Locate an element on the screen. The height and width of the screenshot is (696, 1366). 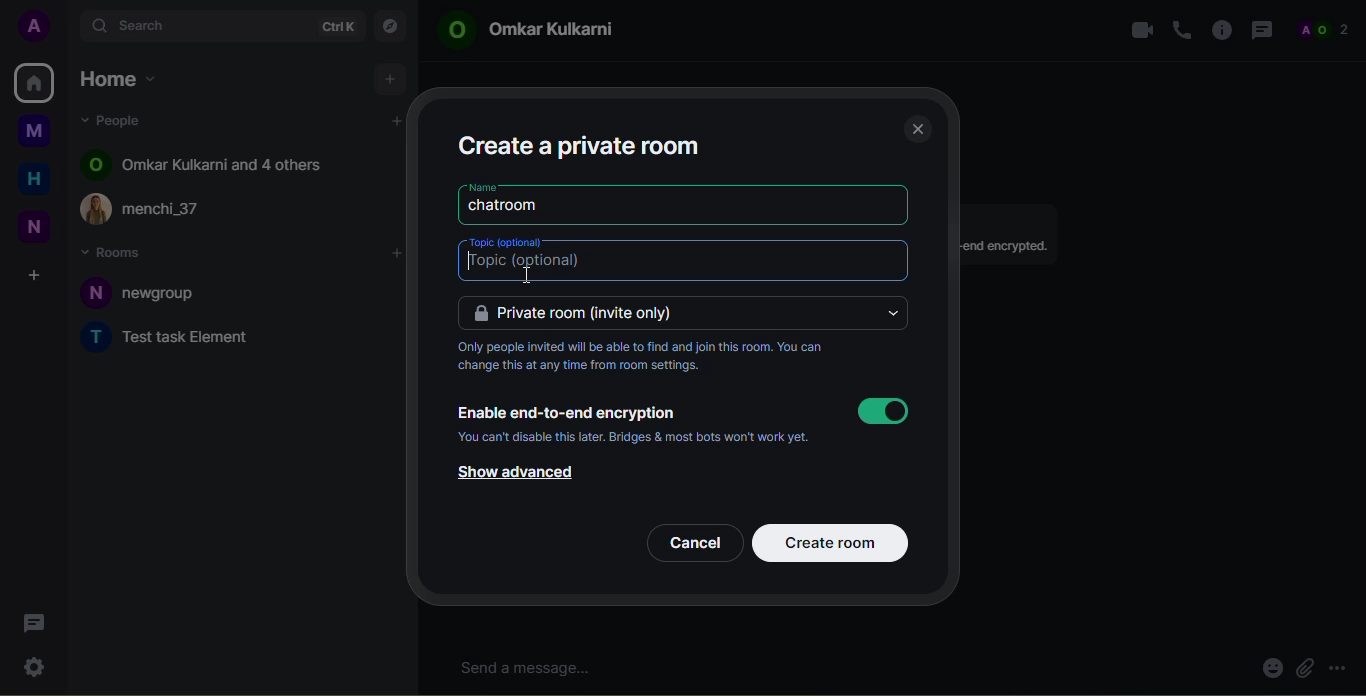
create space is located at coordinates (33, 276).